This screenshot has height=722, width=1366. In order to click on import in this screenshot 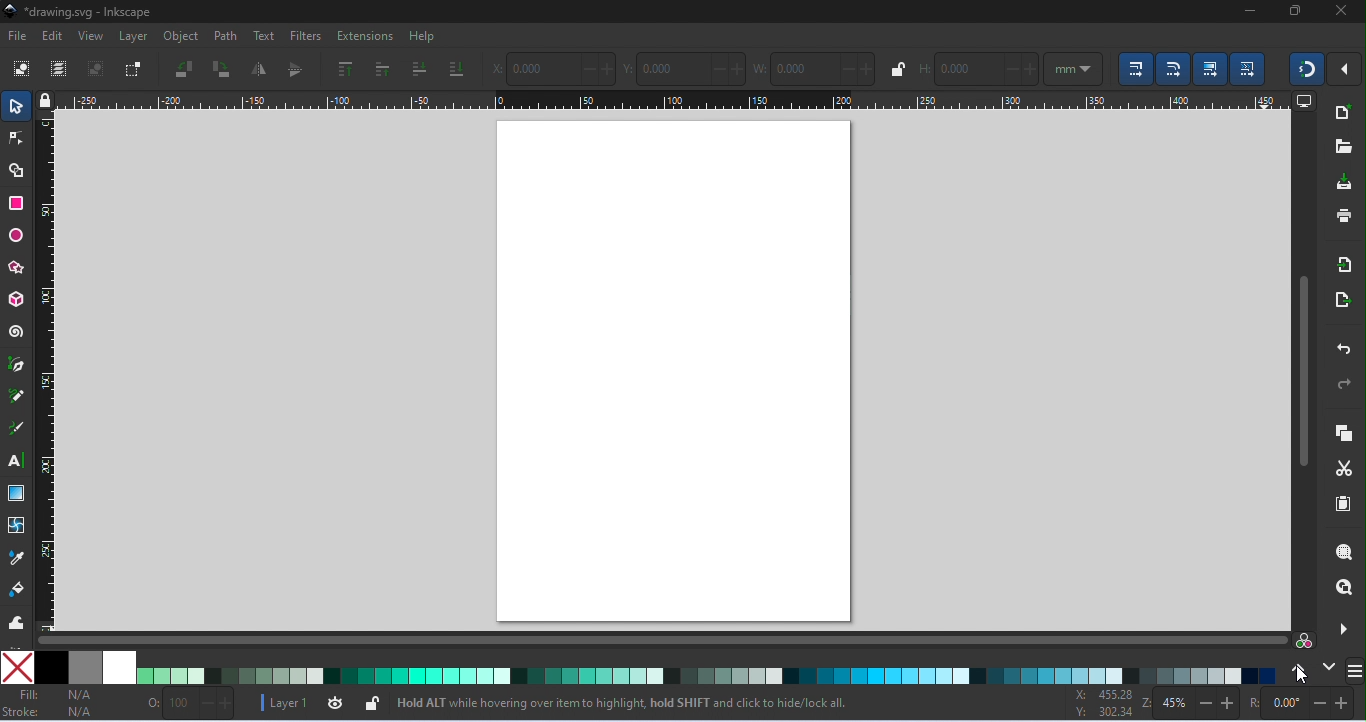, I will do `click(1346, 266)`.